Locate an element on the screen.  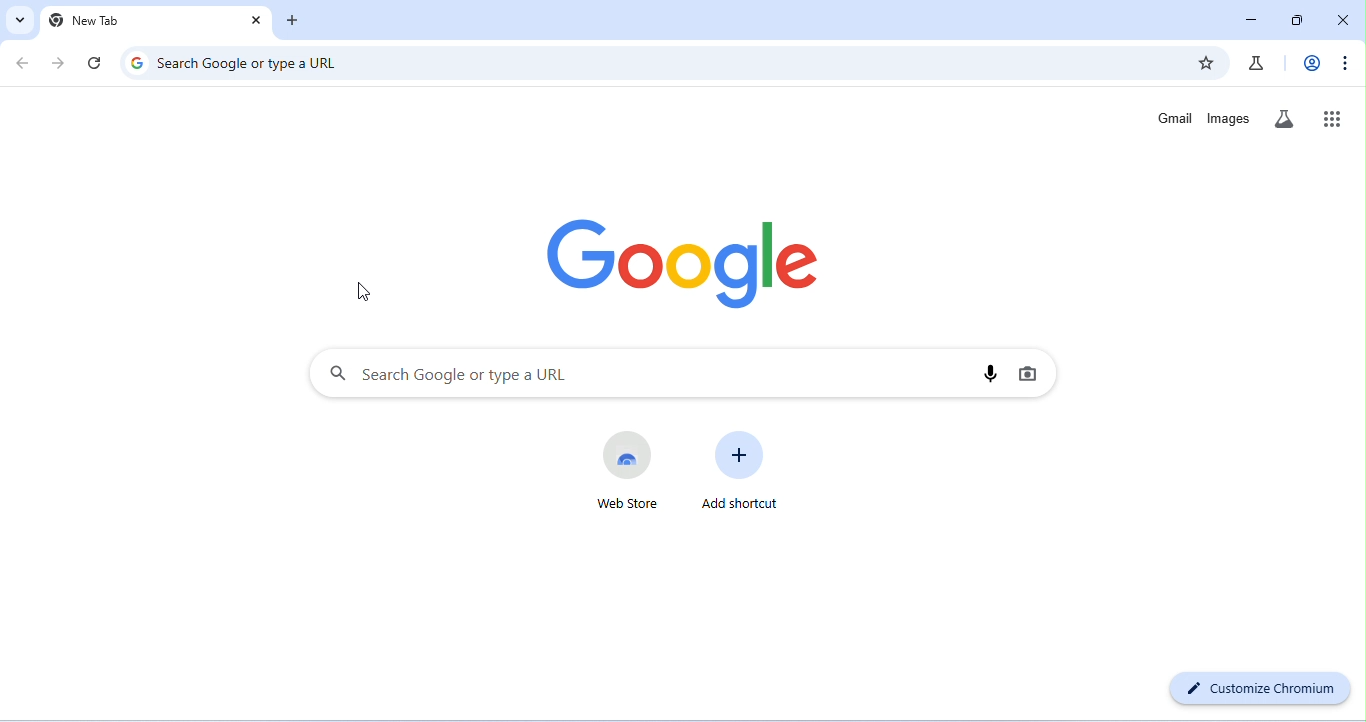
maximize is located at coordinates (1298, 20).